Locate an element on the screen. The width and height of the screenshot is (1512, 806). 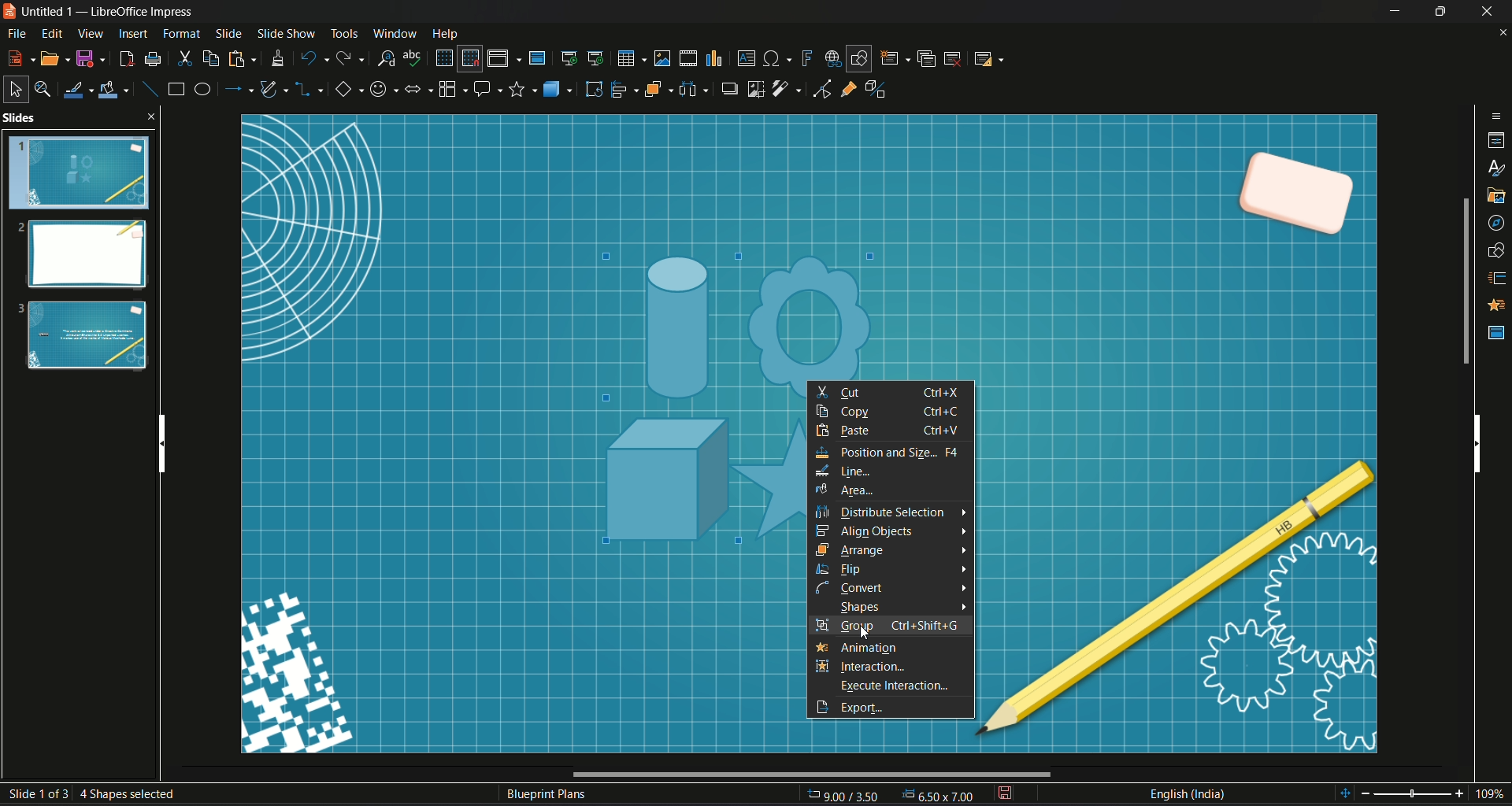
master slide is located at coordinates (1497, 333).